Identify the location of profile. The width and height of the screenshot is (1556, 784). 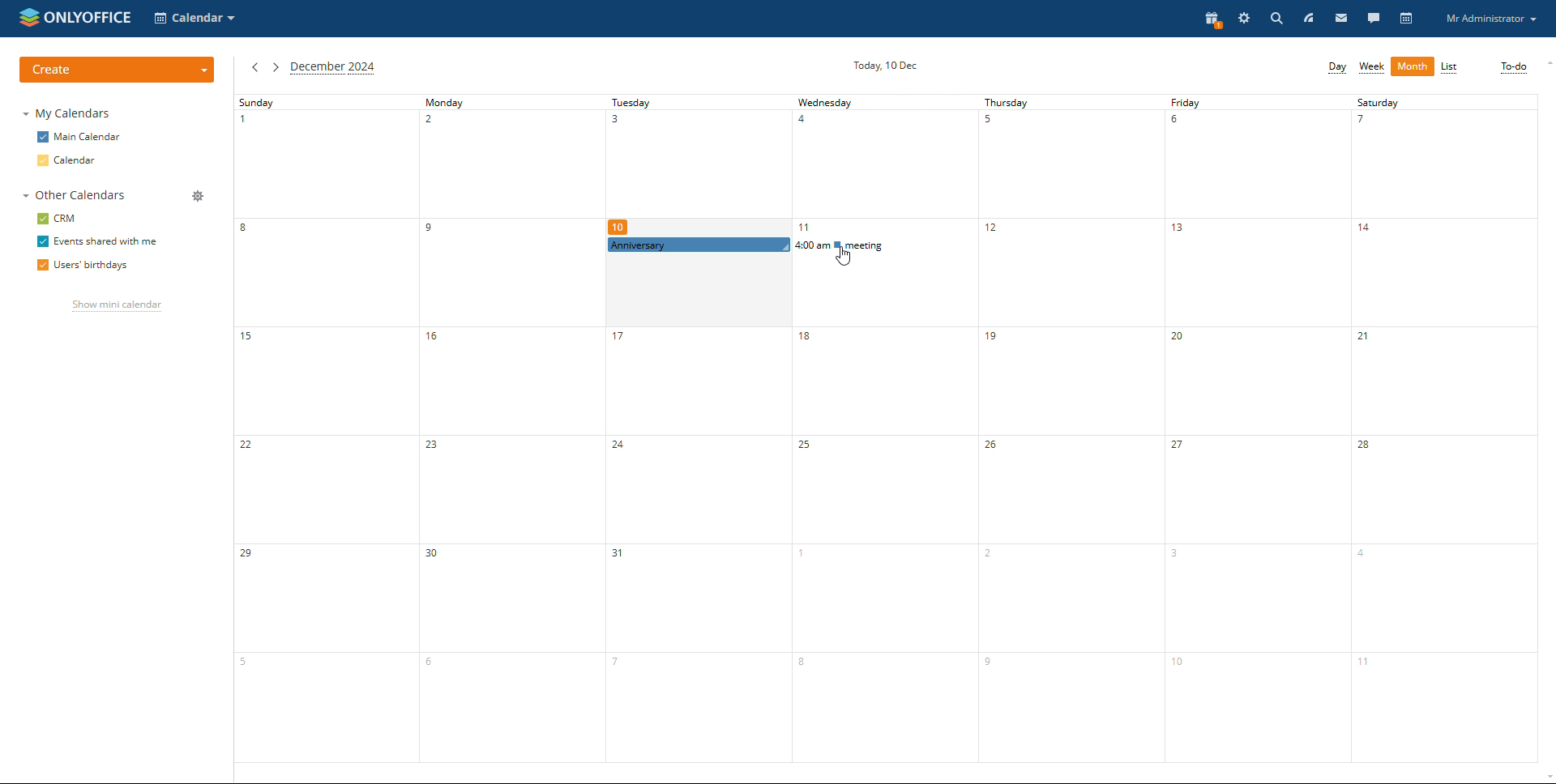
(1494, 19).